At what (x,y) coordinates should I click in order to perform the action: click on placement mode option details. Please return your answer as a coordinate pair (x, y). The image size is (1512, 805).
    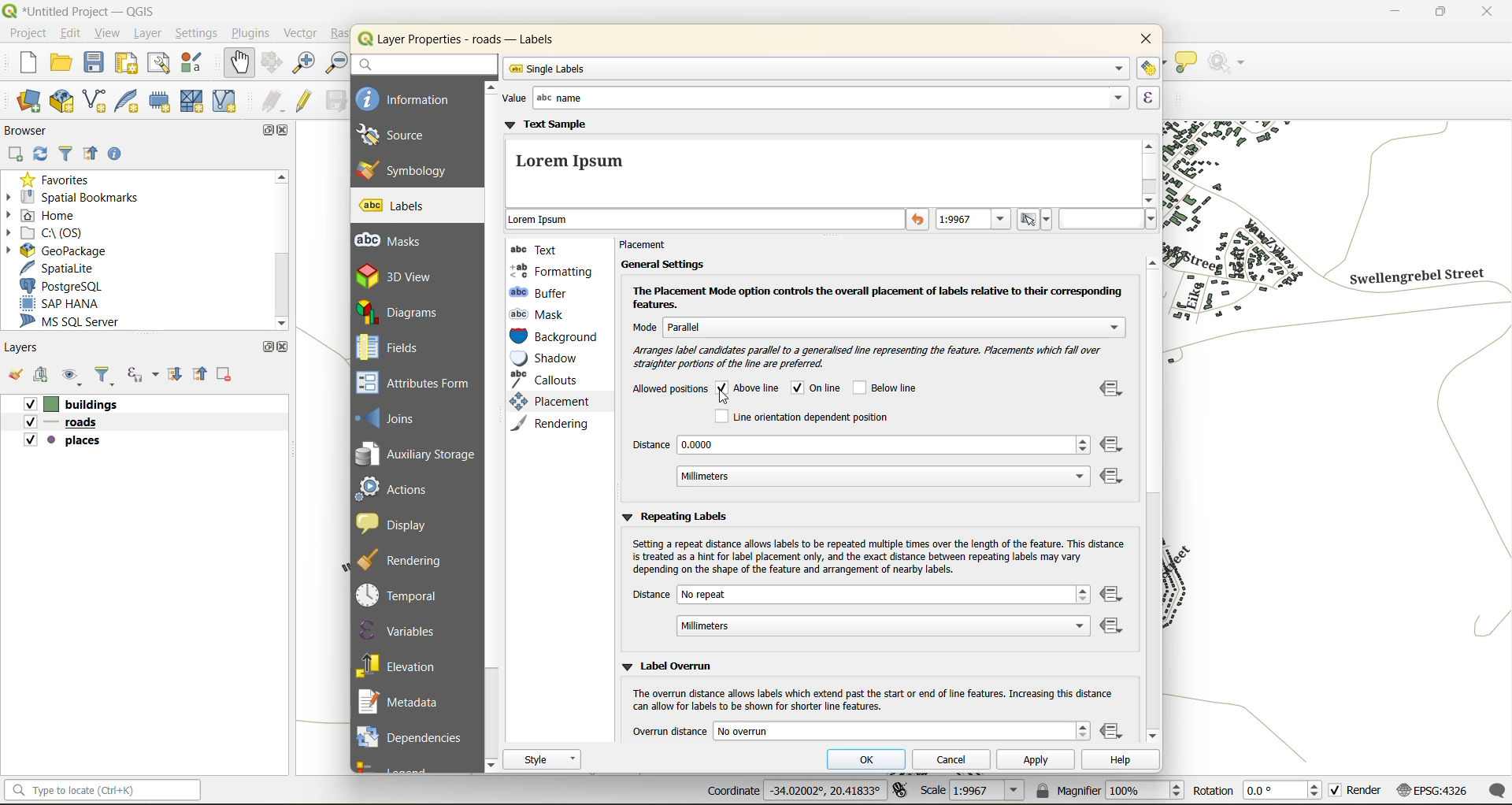
    Looking at the image, I should click on (880, 295).